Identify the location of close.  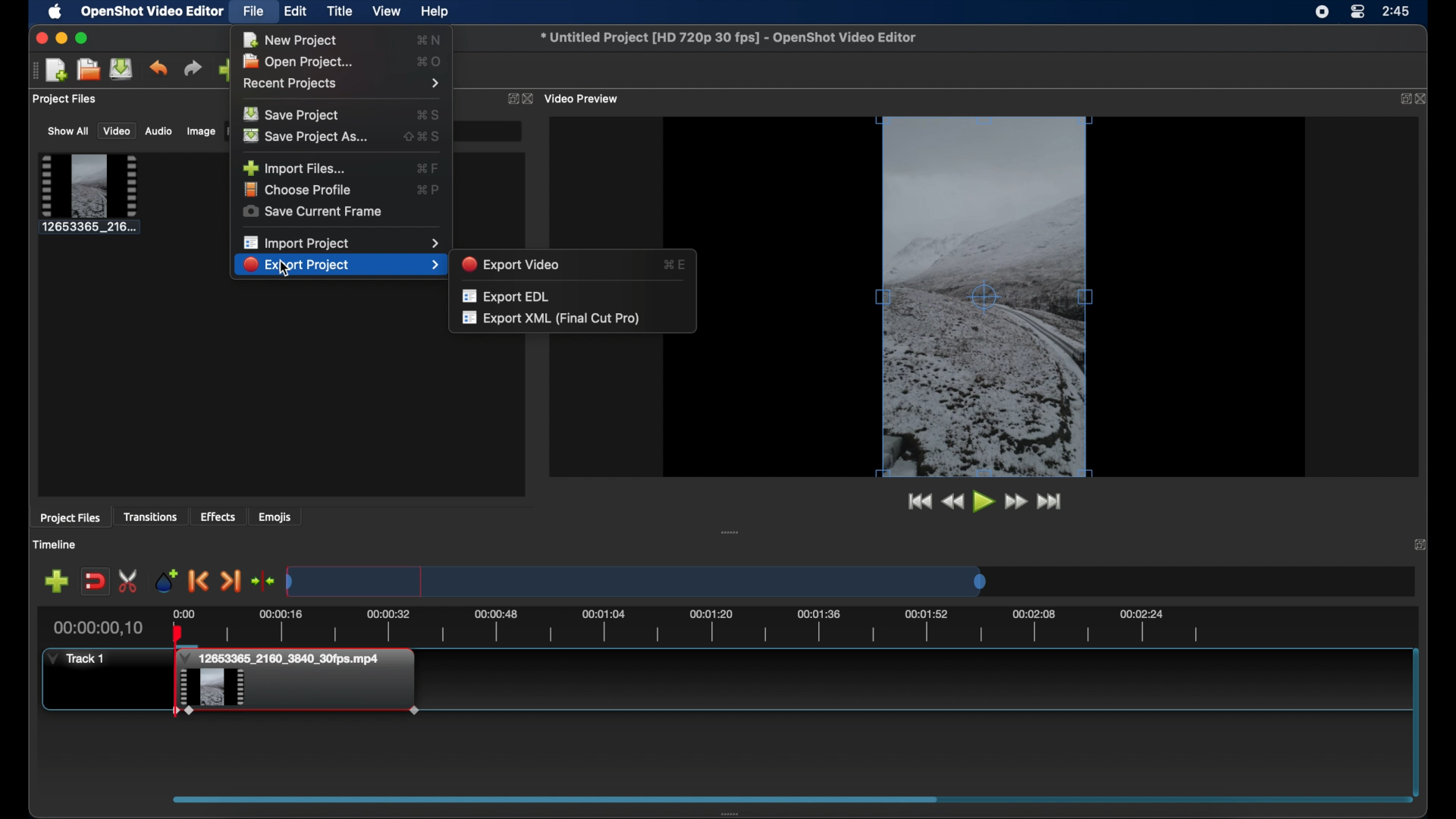
(39, 39).